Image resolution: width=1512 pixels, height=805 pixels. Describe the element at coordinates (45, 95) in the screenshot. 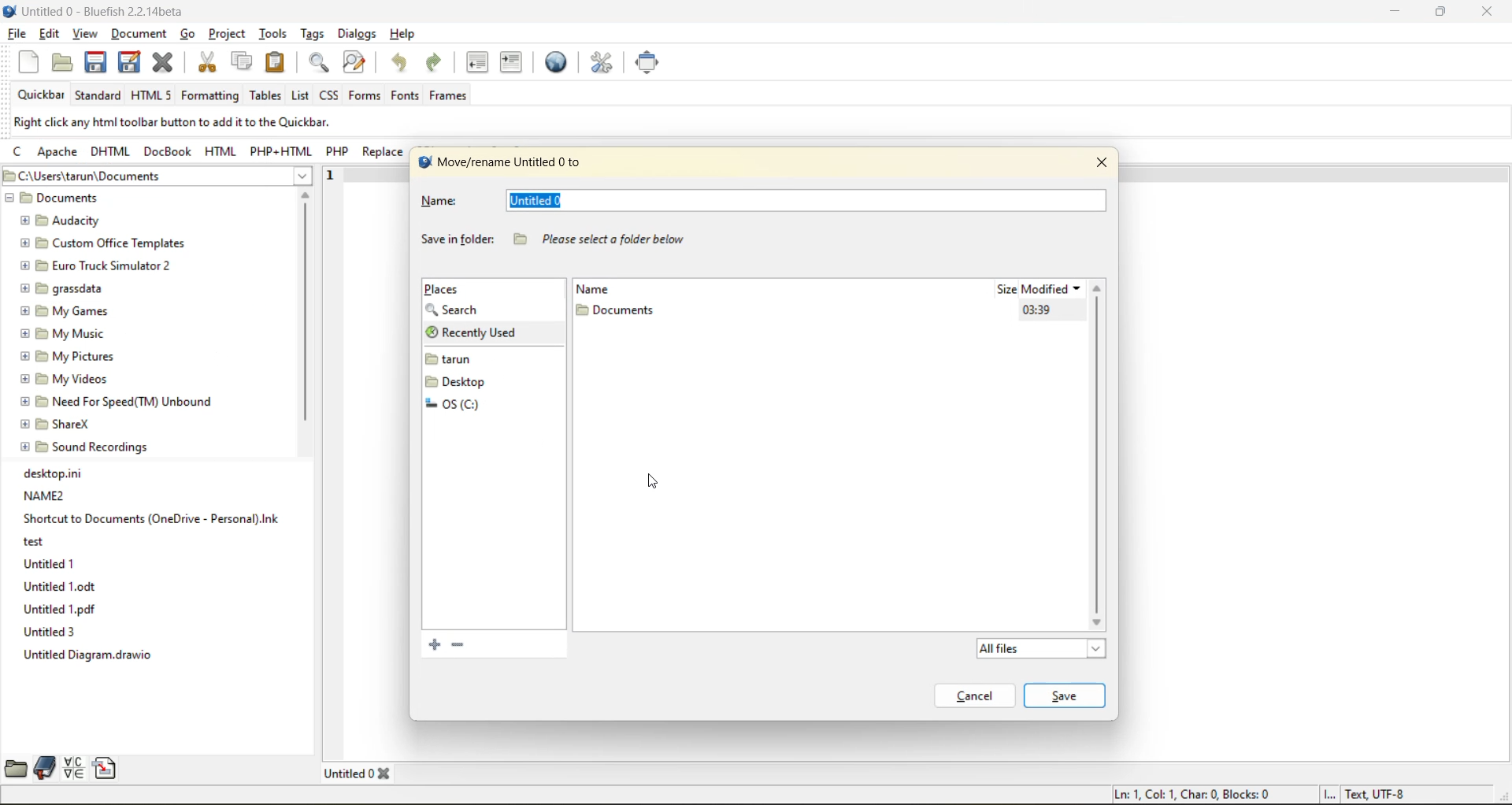

I see `quickbar` at that location.